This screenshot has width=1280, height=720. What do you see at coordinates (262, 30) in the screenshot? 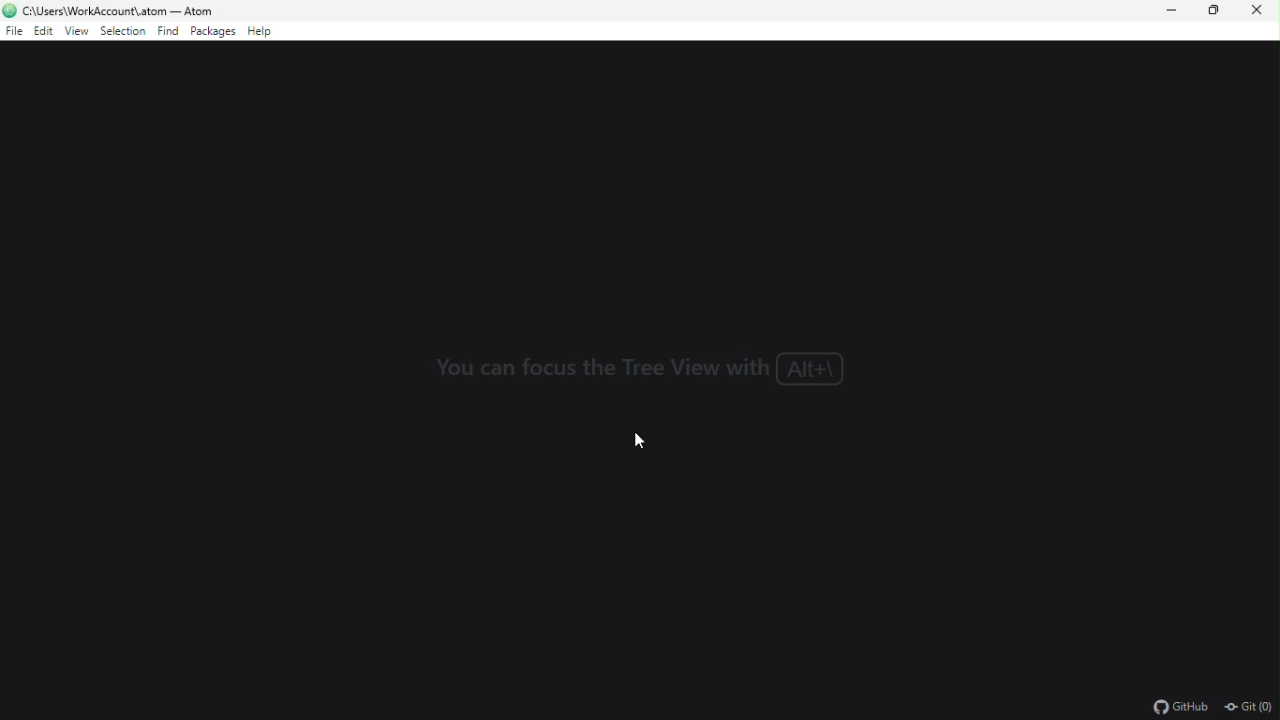
I see `help` at bounding box center [262, 30].